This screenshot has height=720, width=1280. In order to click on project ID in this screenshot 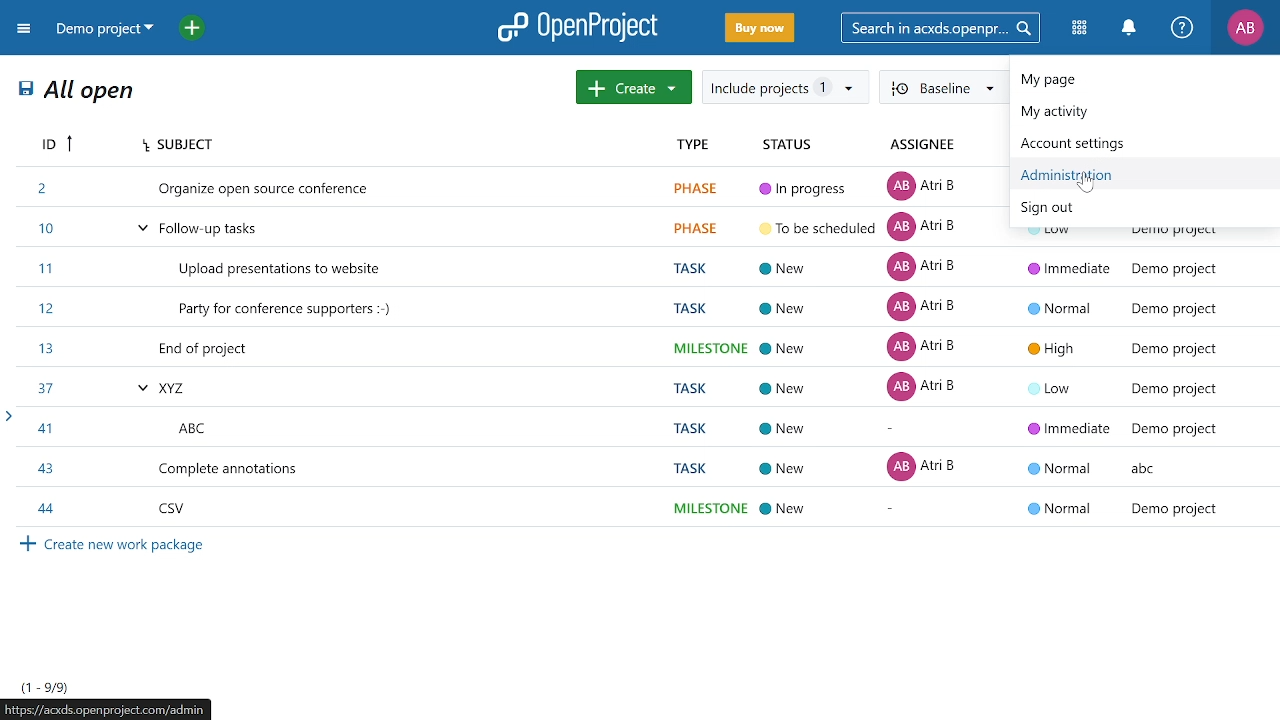, I will do `click(53, 144)`.